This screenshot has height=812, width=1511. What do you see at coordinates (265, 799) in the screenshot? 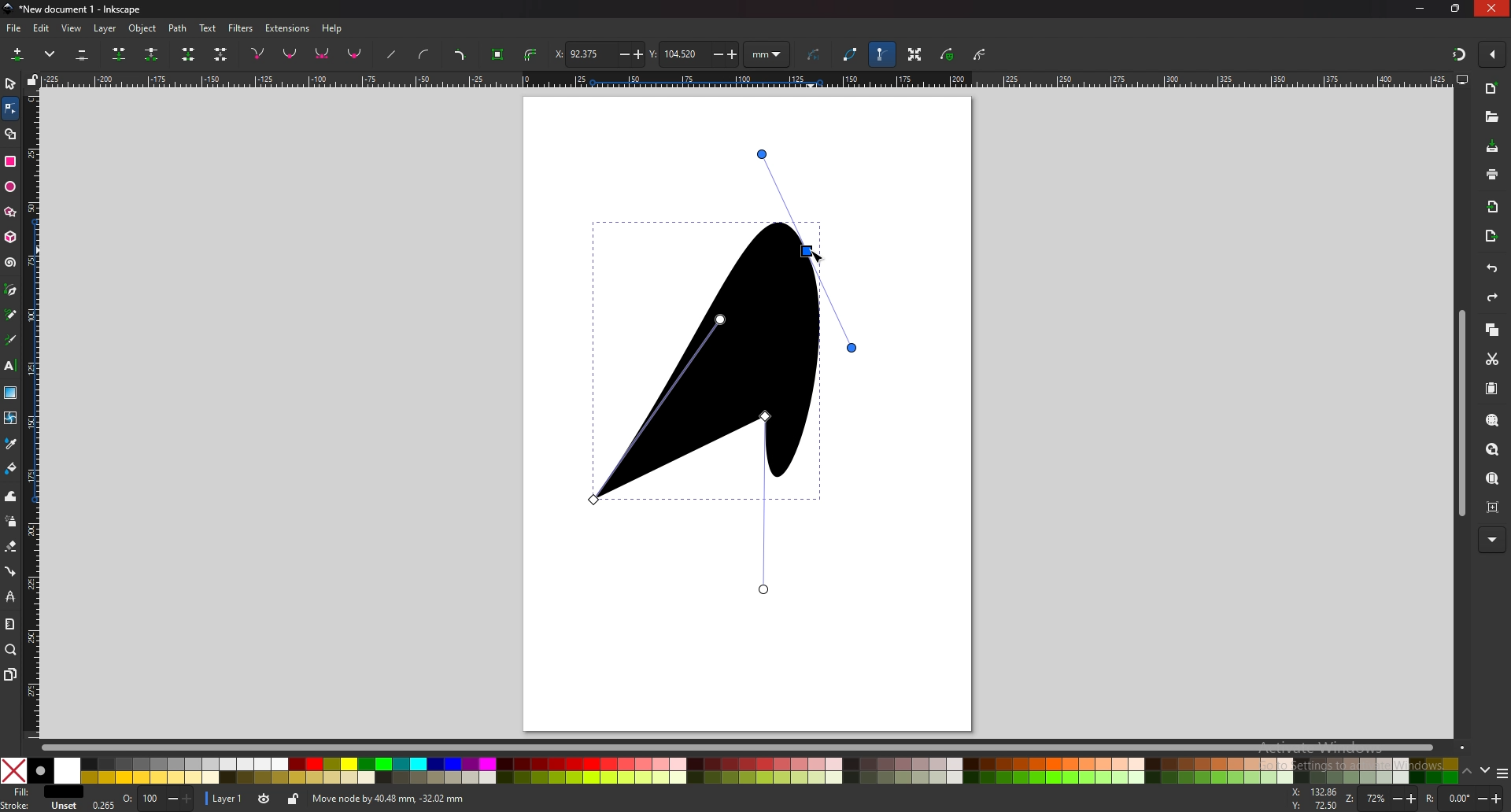
I see `toggle visibility` at bounding box center [265, 799].